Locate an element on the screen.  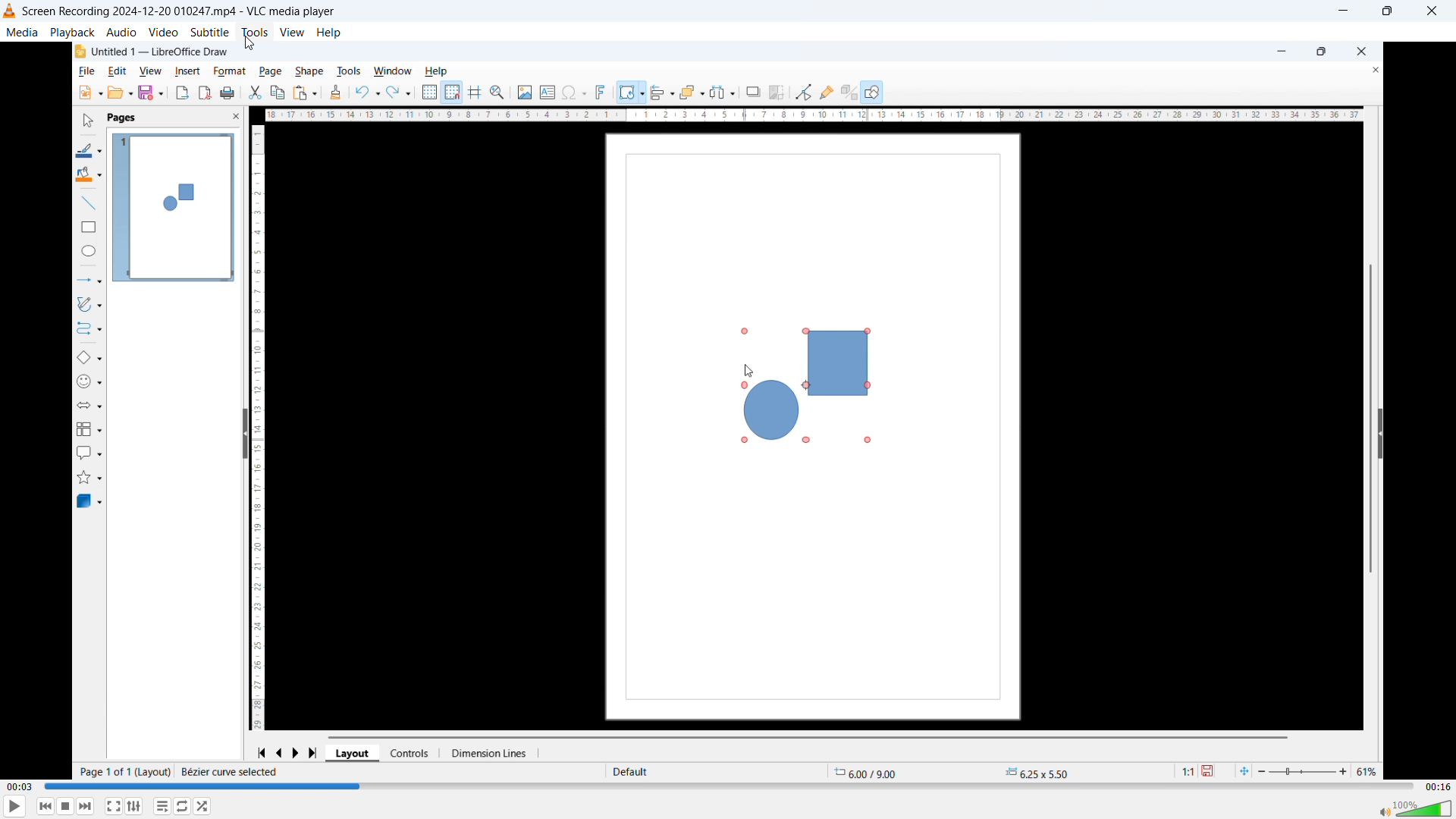
media is located at coordinates (22, 31).